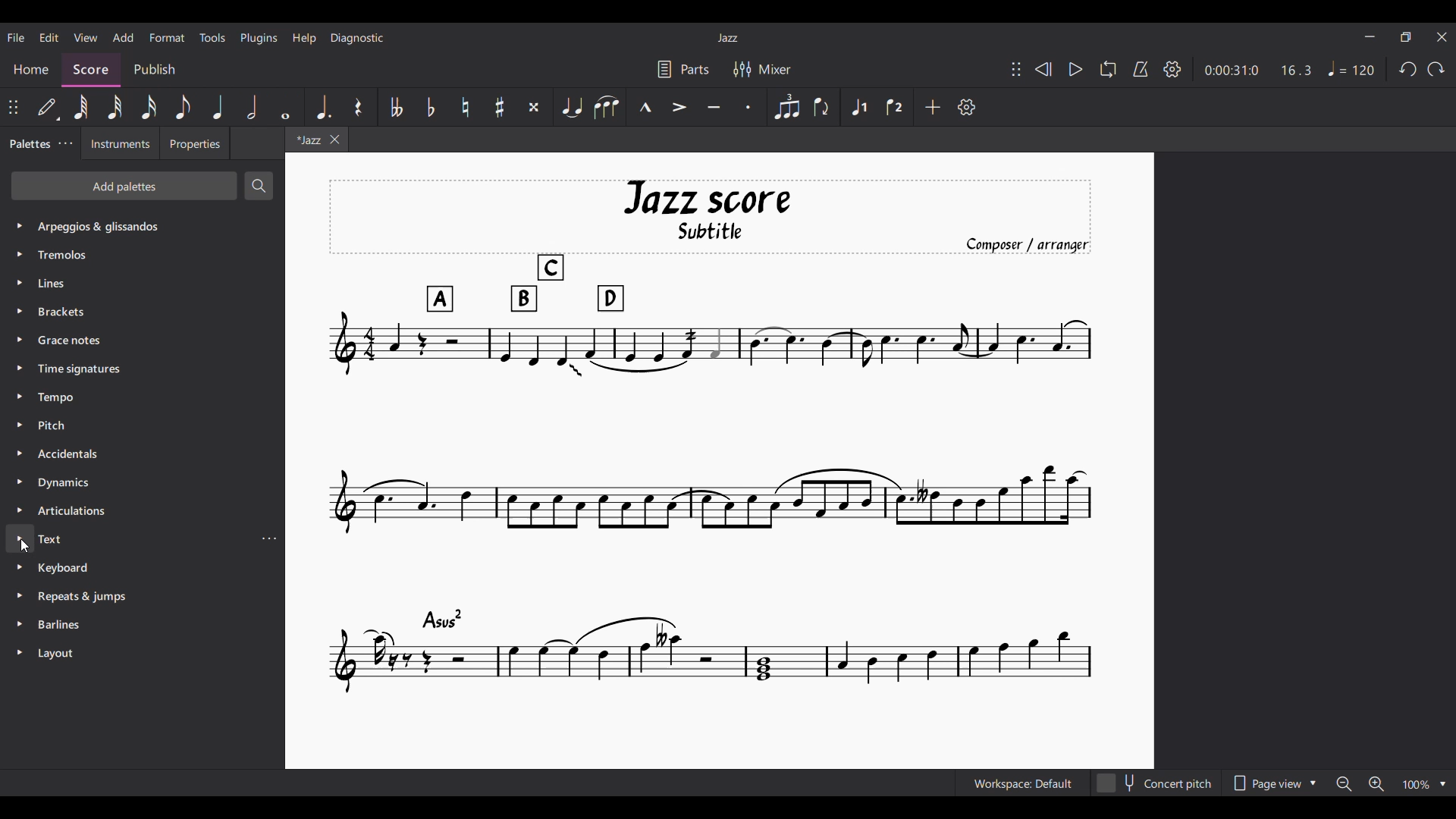  What do you see at coordinates (13, 107) in the screenshot?
I see `Change position` at bounding box center [13, 107].